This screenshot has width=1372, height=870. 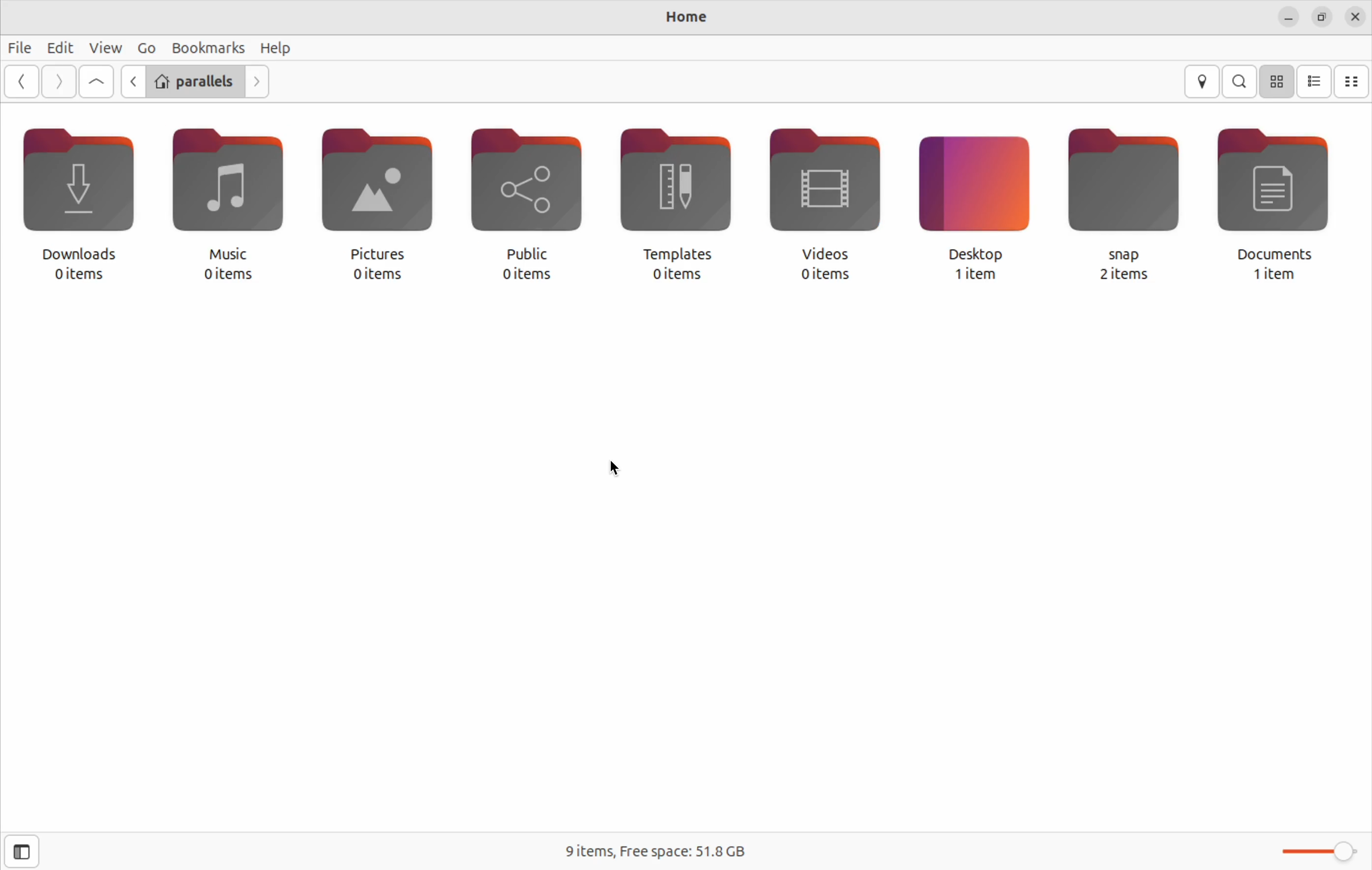 What do you see at coordinates (652, 853) in the screenshot?
I see `9 items free space 51.31 Gb` at bounding box center [652, 853].